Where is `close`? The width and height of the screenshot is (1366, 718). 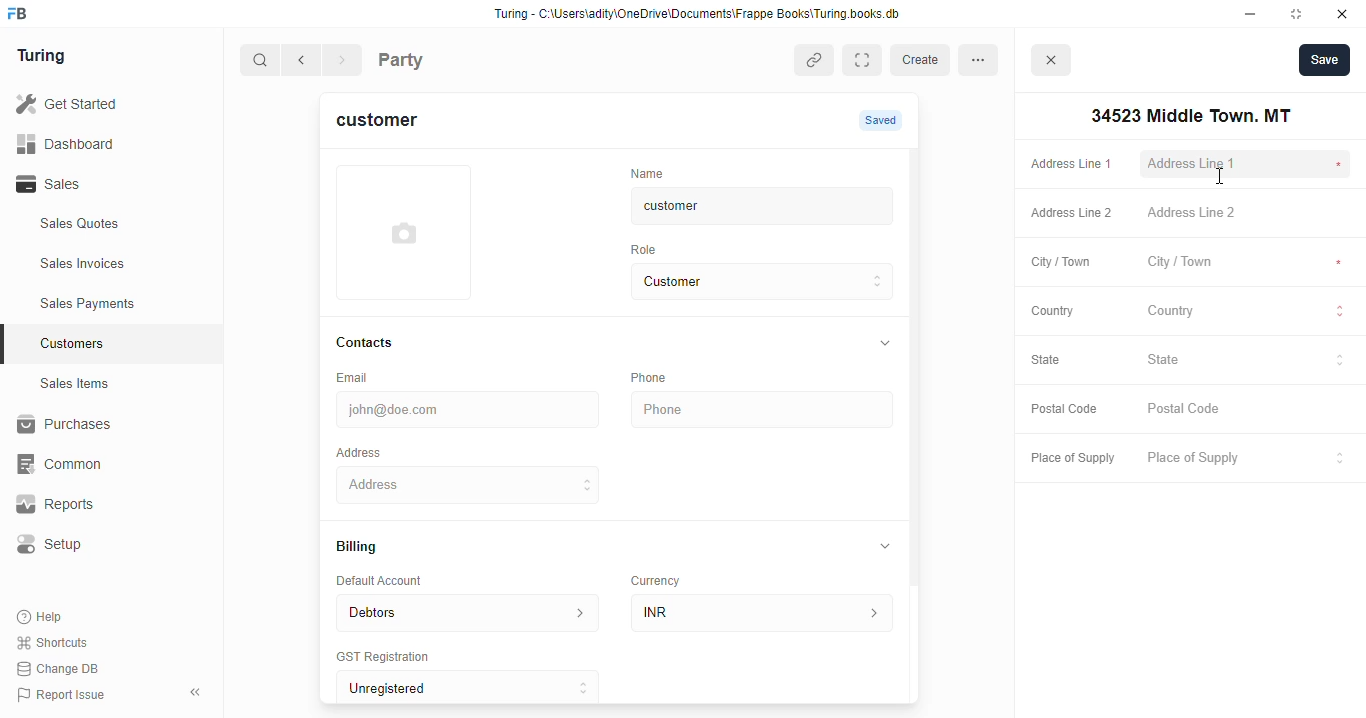
close is located at coordinates (1054, 63).